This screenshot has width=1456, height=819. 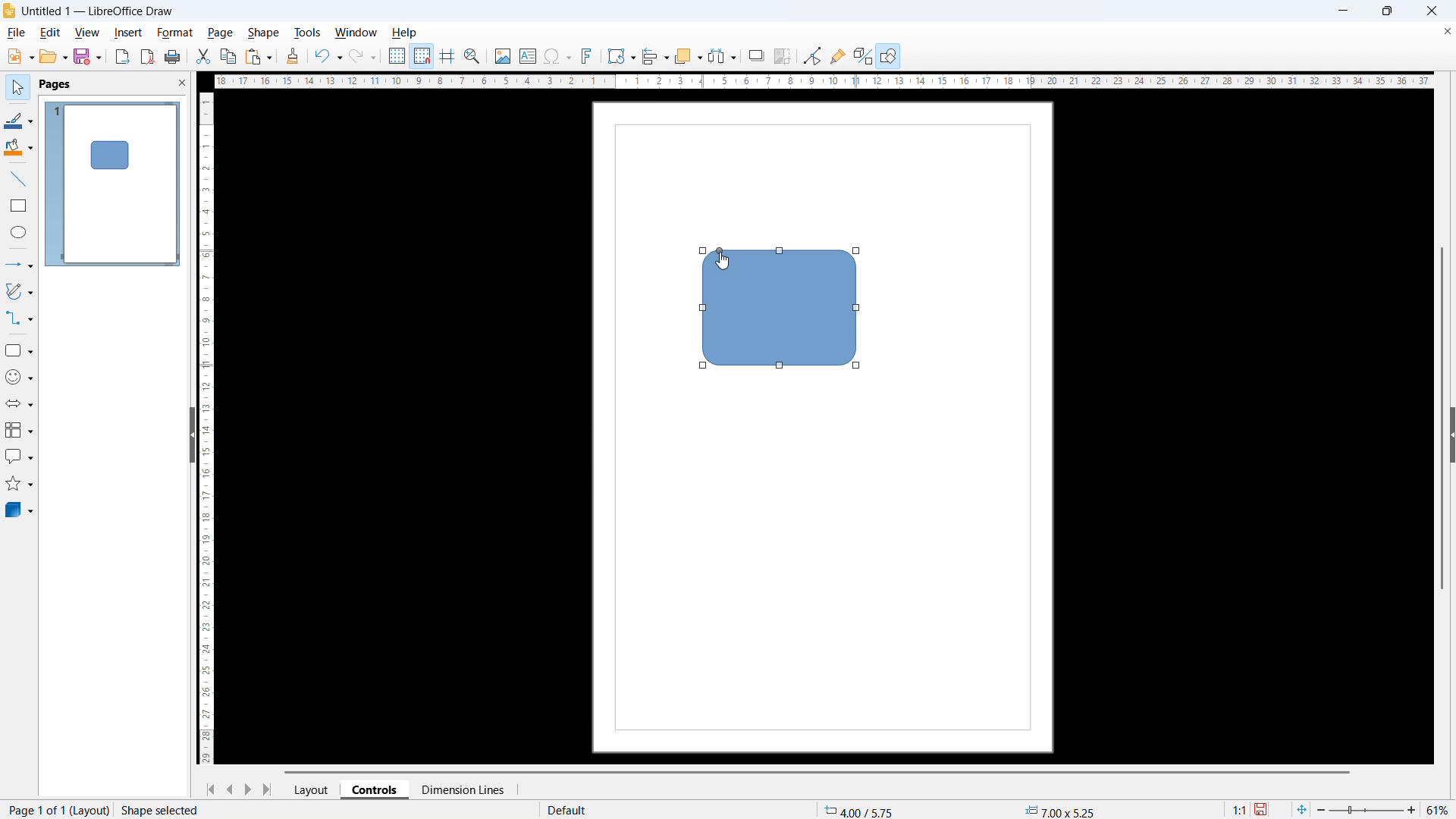 I want to click on maximise , so click(x=1386, y=11).